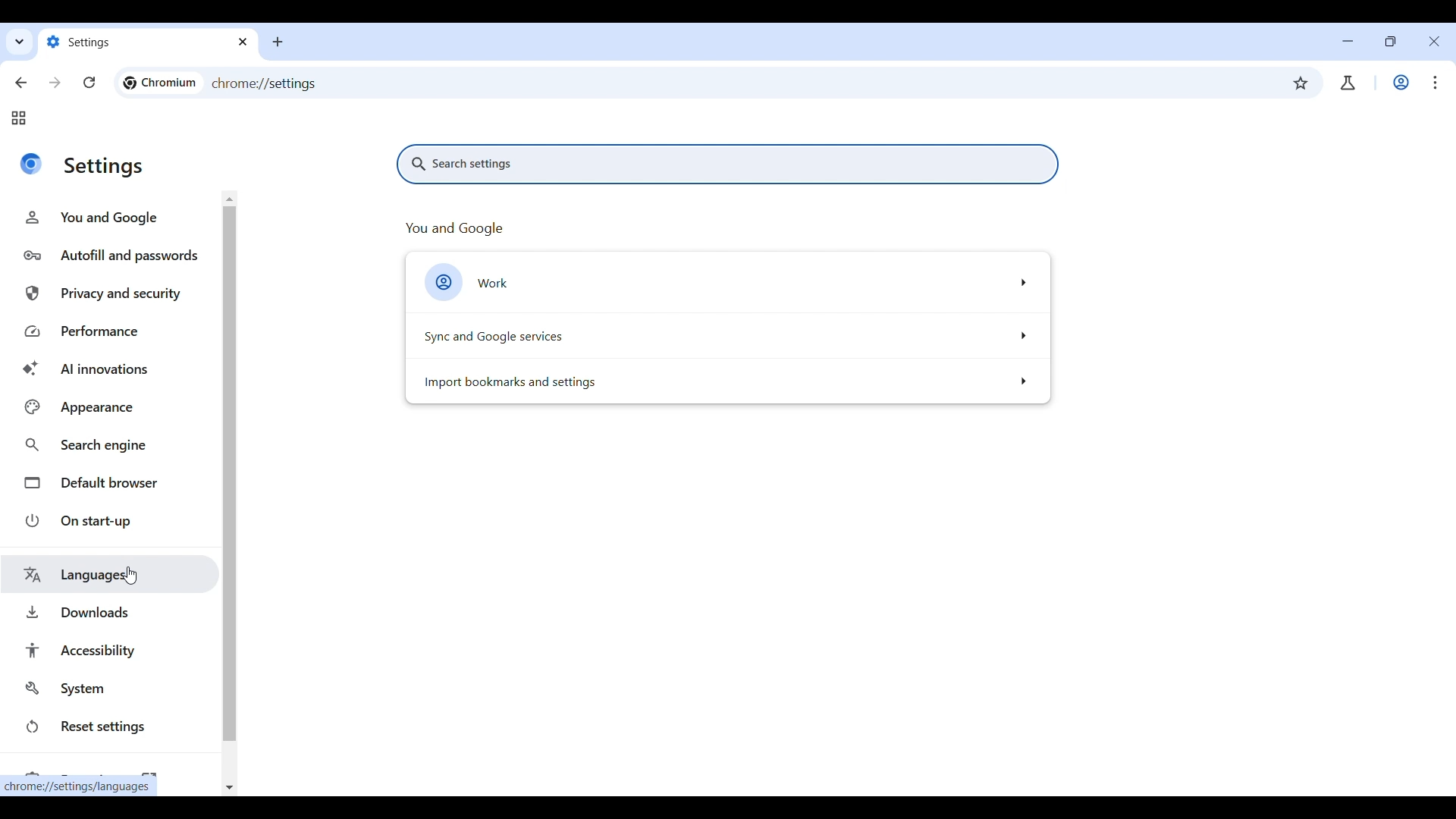 This screenshot has height=819, width=1456. I want to click on Search engine, so click(113, 446).